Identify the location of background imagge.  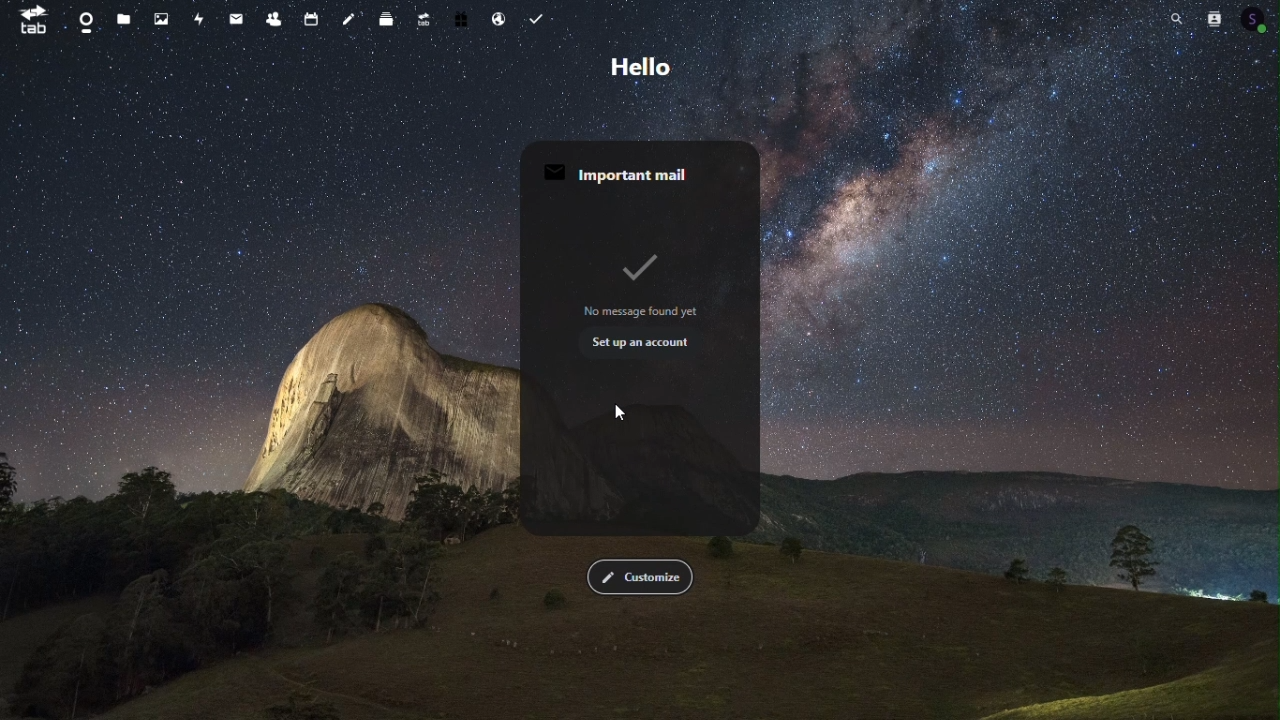
(267, 394).